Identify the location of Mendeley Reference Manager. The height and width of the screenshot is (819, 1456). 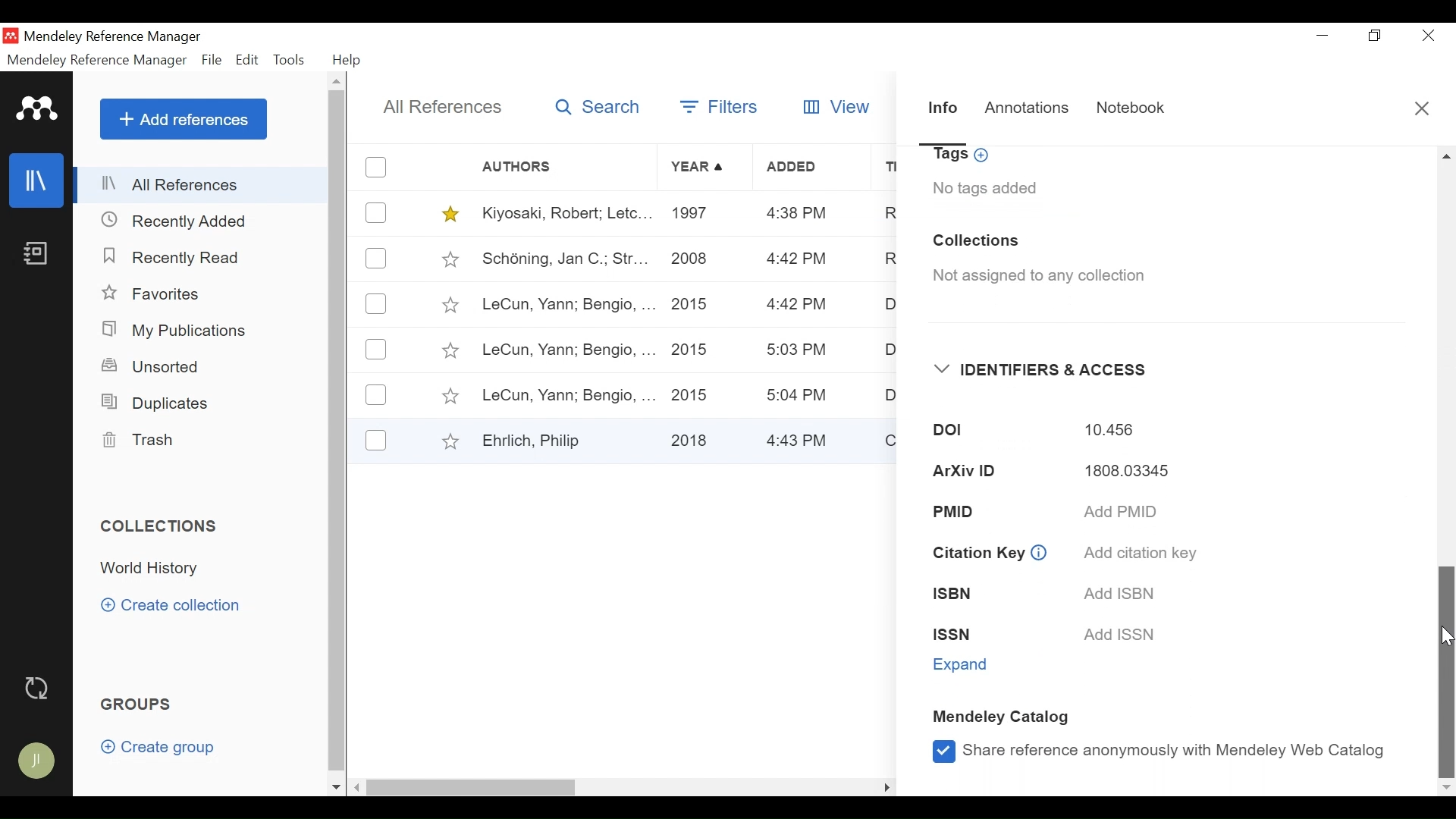
(99, 60).